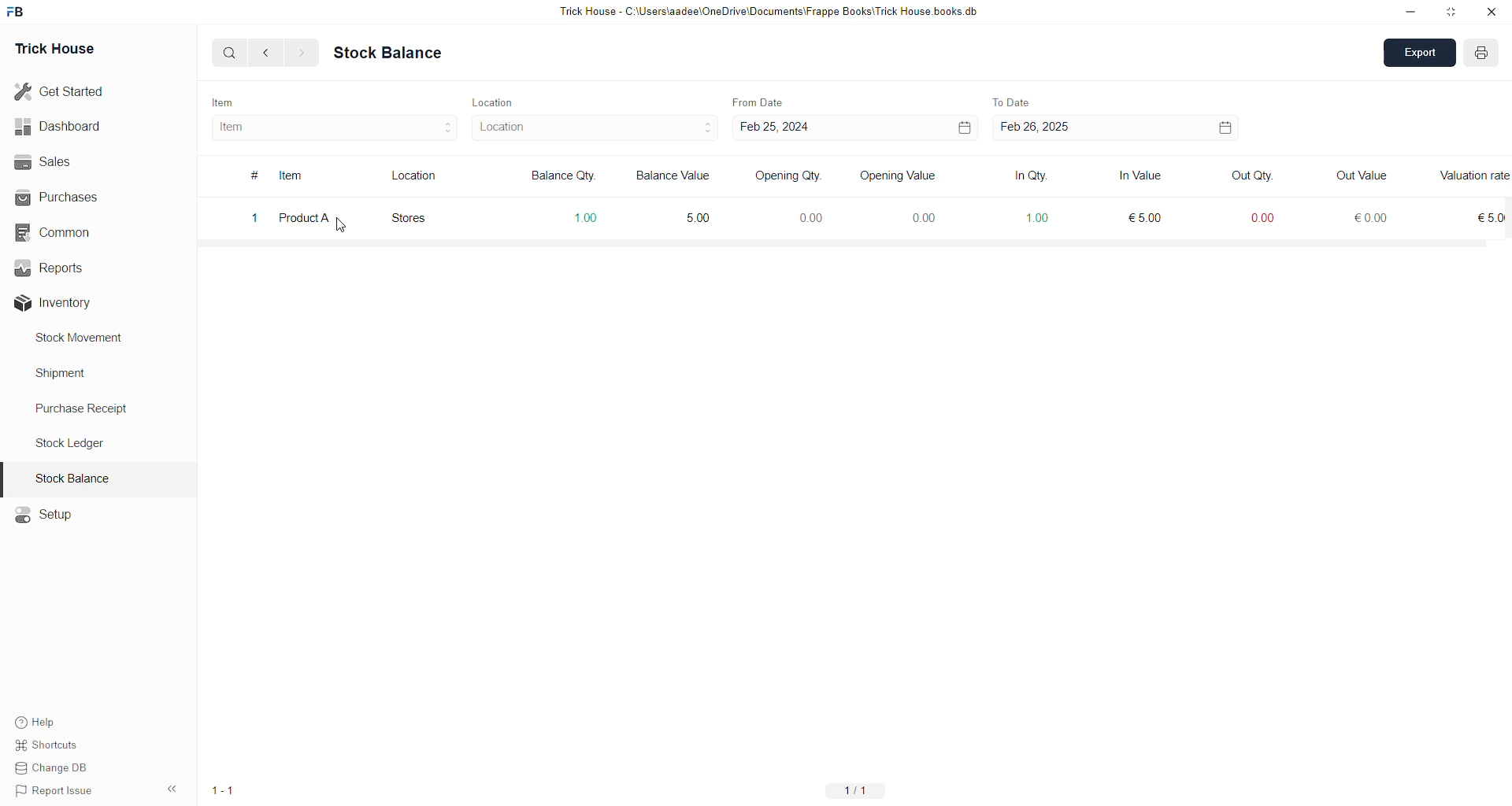 The image size is (1512, 806). I want to click on Change DB, so click(54, 768).